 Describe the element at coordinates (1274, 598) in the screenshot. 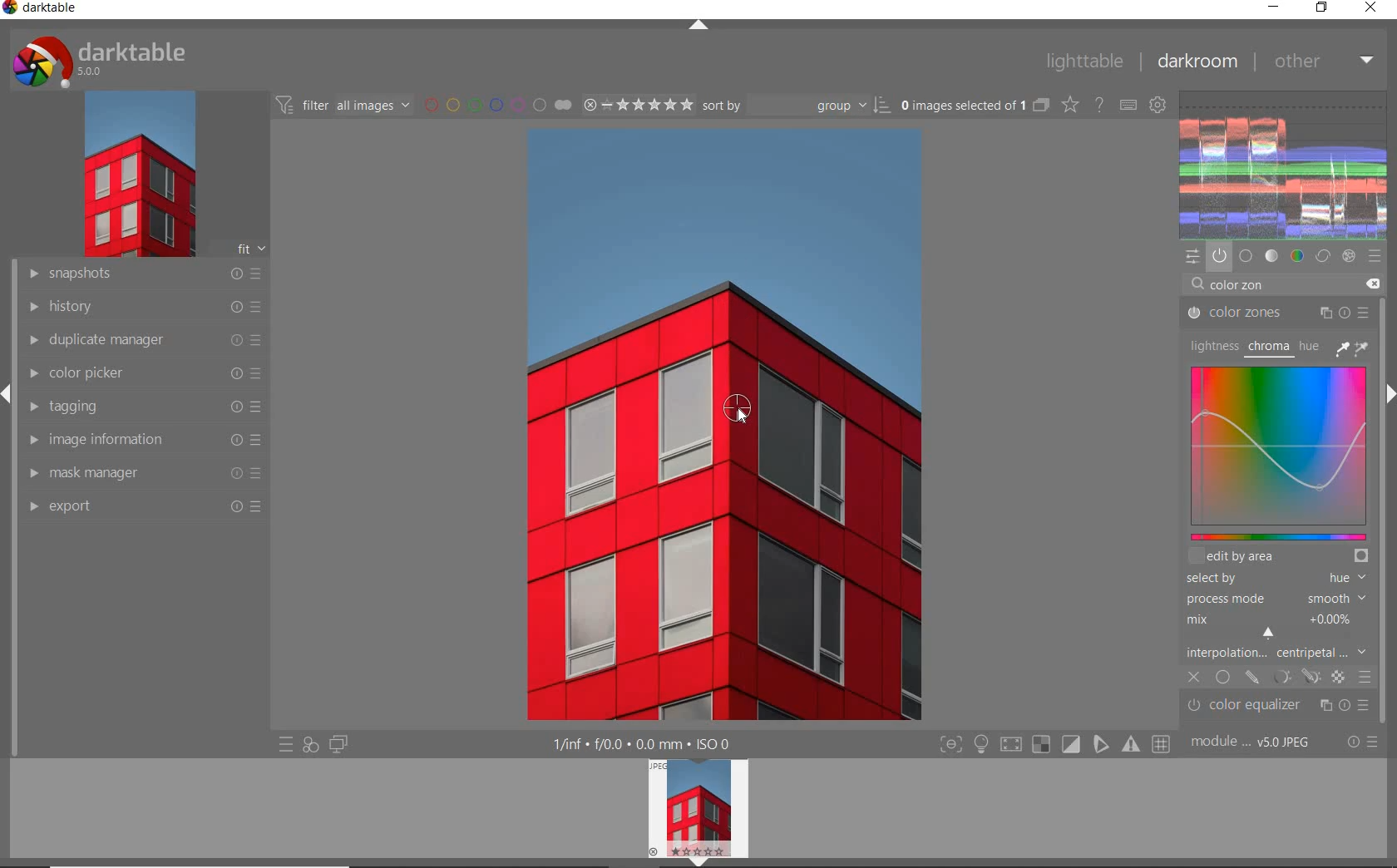

I see `PROCESS MODE` at that location.